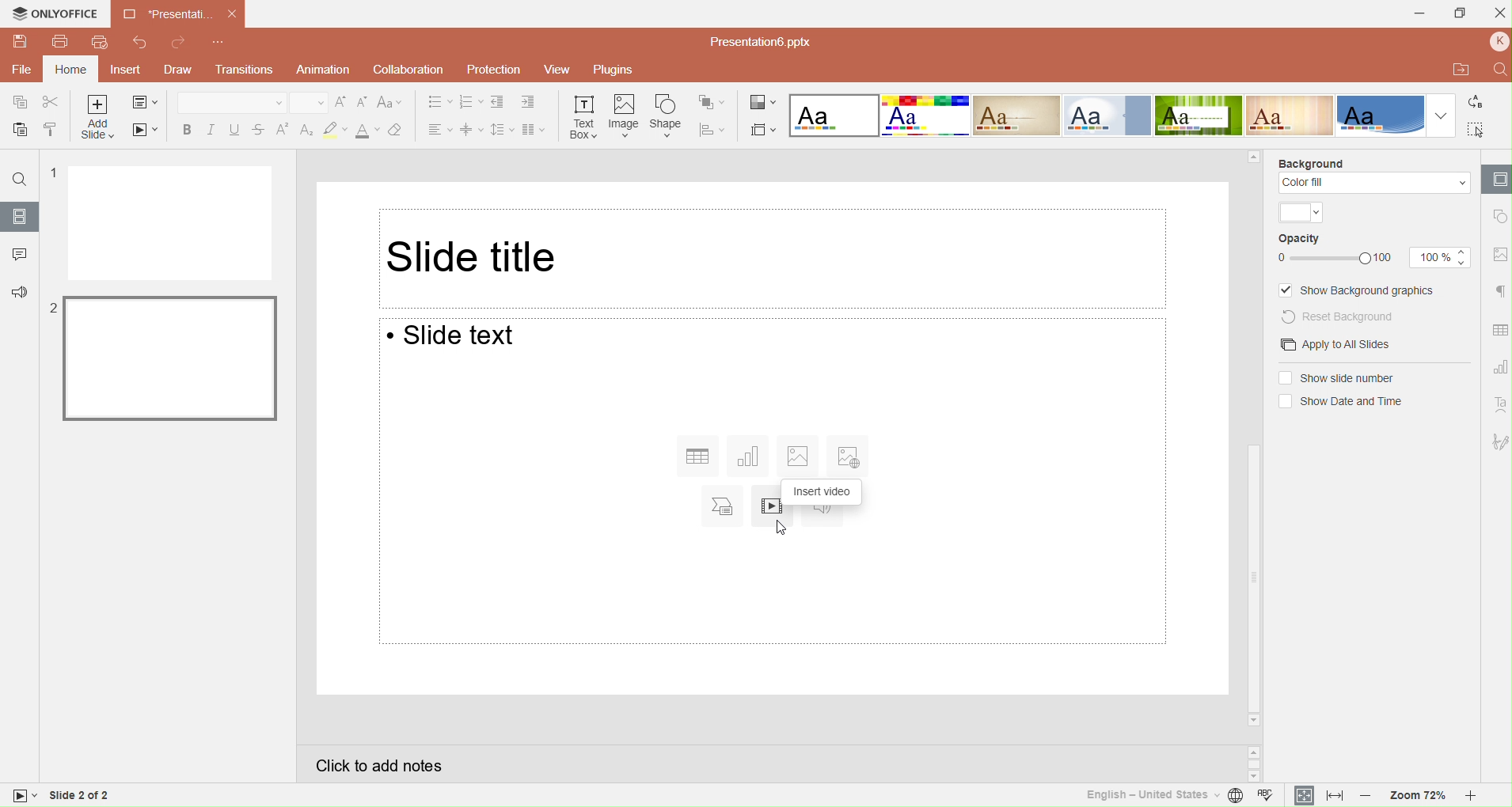  Describe the element at coordinates (712, 101) in the screenshot. I see `Arrange shape` at that location.